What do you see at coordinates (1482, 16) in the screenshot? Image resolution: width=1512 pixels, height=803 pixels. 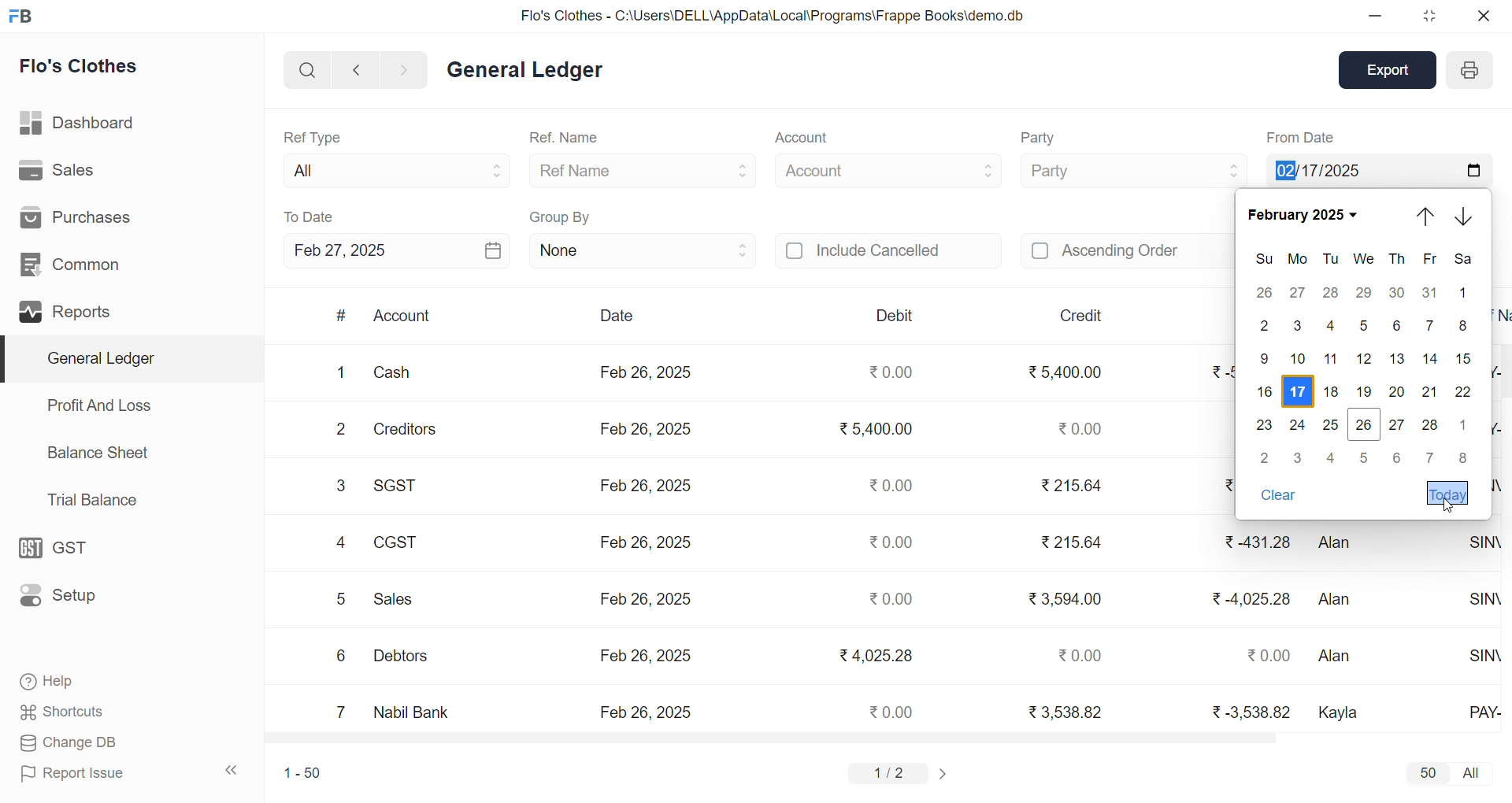 I see `CLOSE` at bounding box center [1482, 16].